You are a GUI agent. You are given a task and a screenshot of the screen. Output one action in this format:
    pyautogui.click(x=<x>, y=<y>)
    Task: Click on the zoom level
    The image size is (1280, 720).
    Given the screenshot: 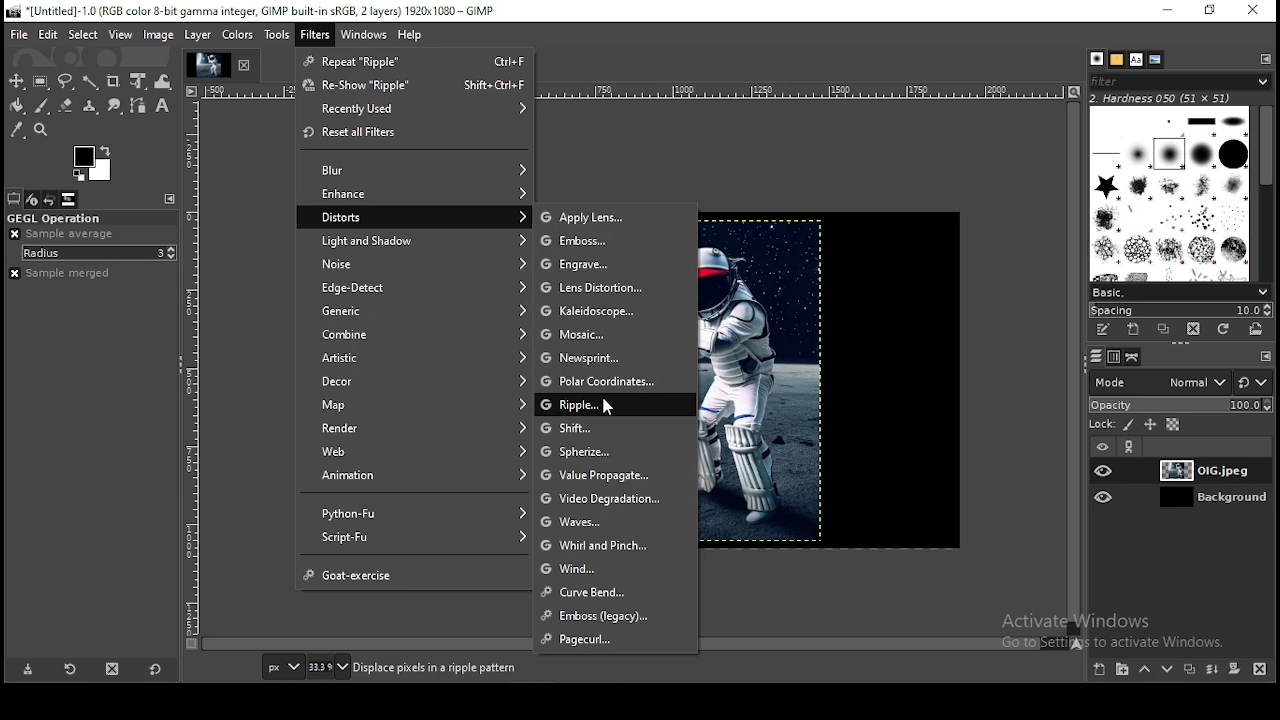 What is the action you would take?
    pyautogui.click(x=328, y=668)
    